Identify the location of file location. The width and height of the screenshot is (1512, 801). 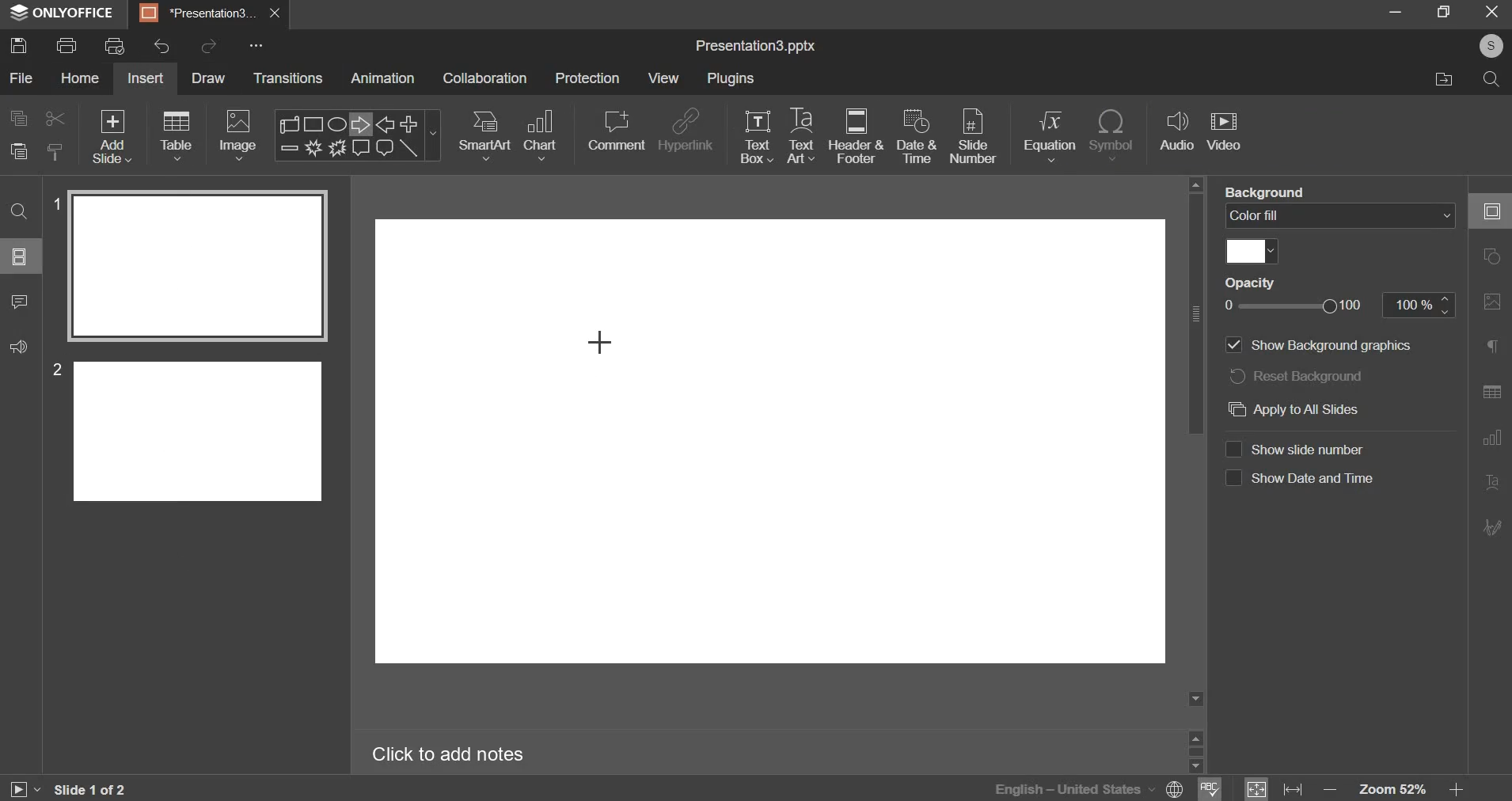
(1442, 80).